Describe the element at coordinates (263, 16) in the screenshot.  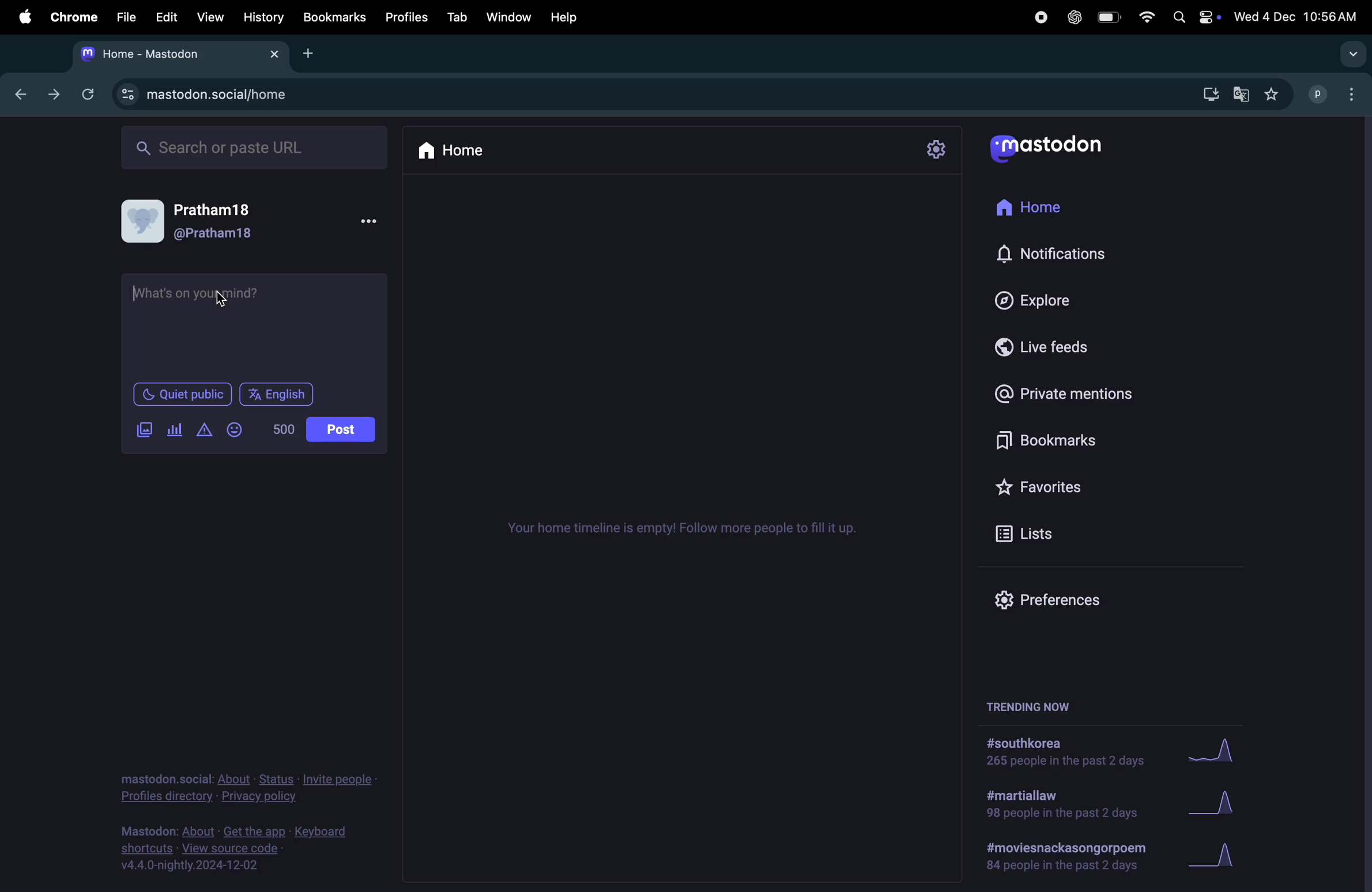
I see `history` at that location.